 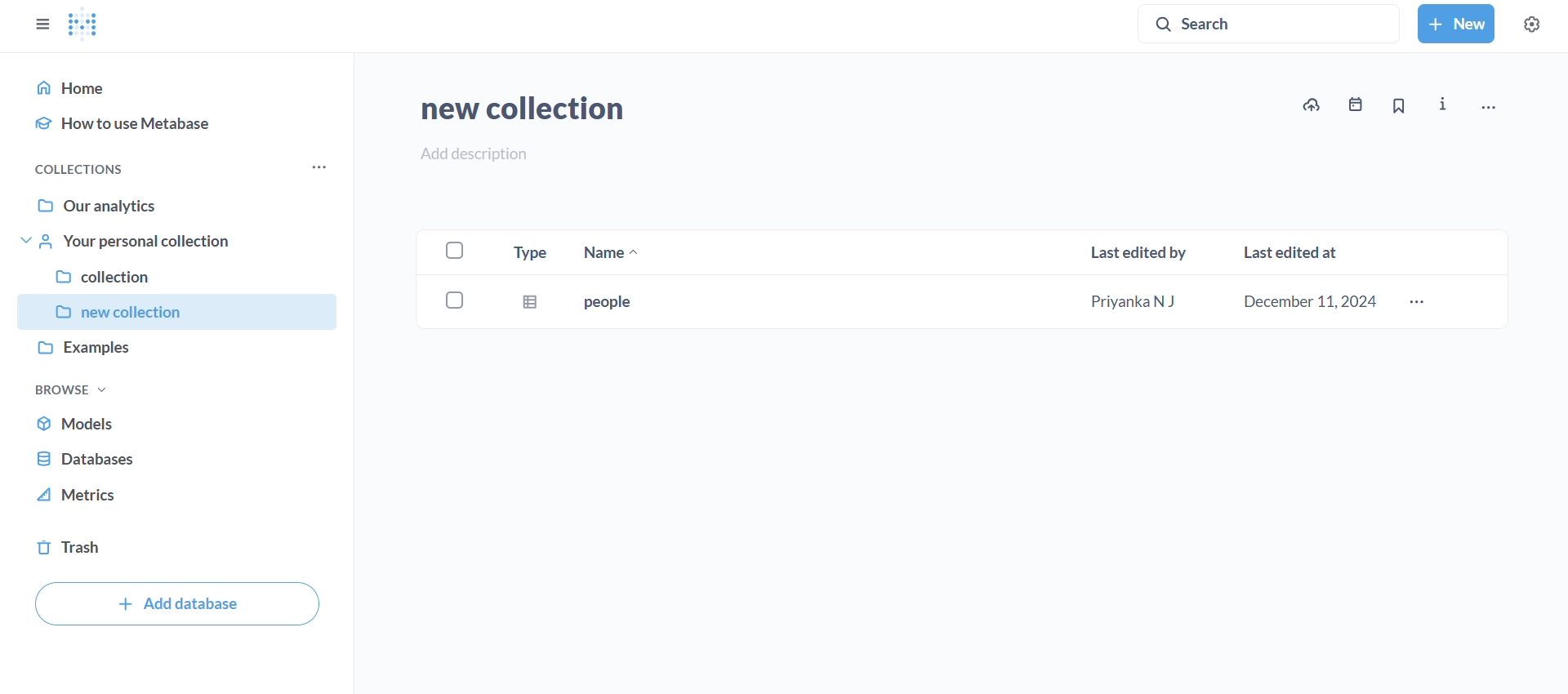 What do you see at coordinates (315, 170) in the screenshot?
I see `more` at bounding box center [315, 170].